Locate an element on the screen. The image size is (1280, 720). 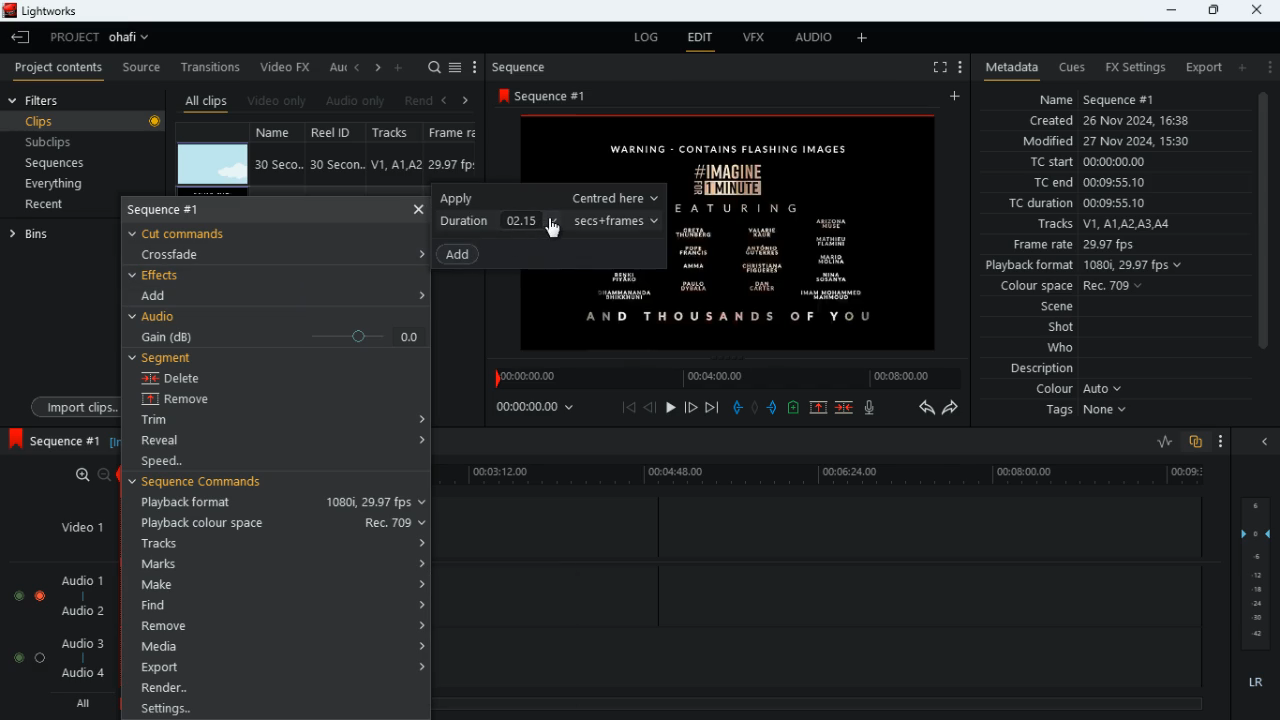
more is located at coordinates (1268, 66).